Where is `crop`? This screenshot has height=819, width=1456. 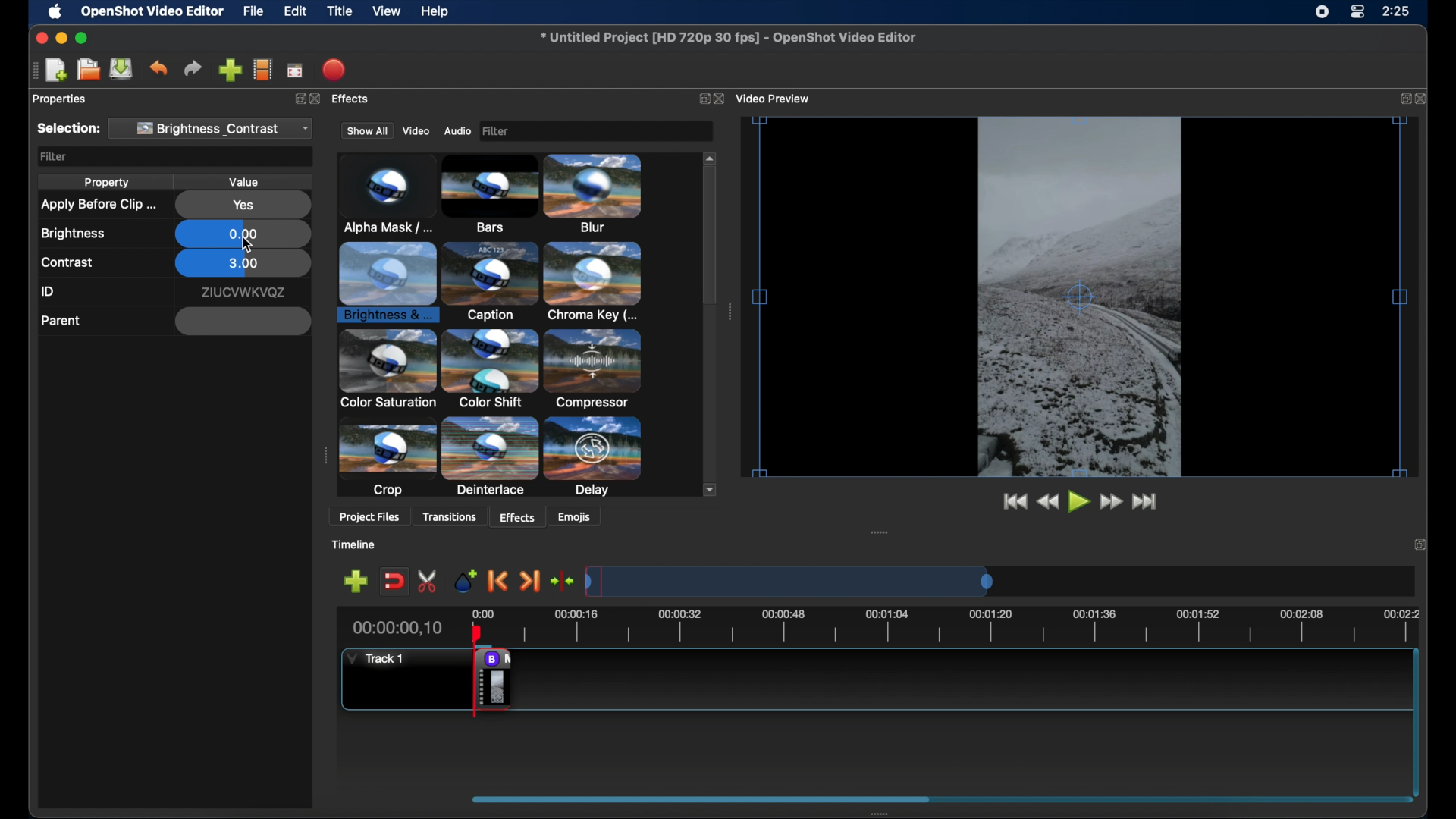 crop is located at coordinates (390, 370).